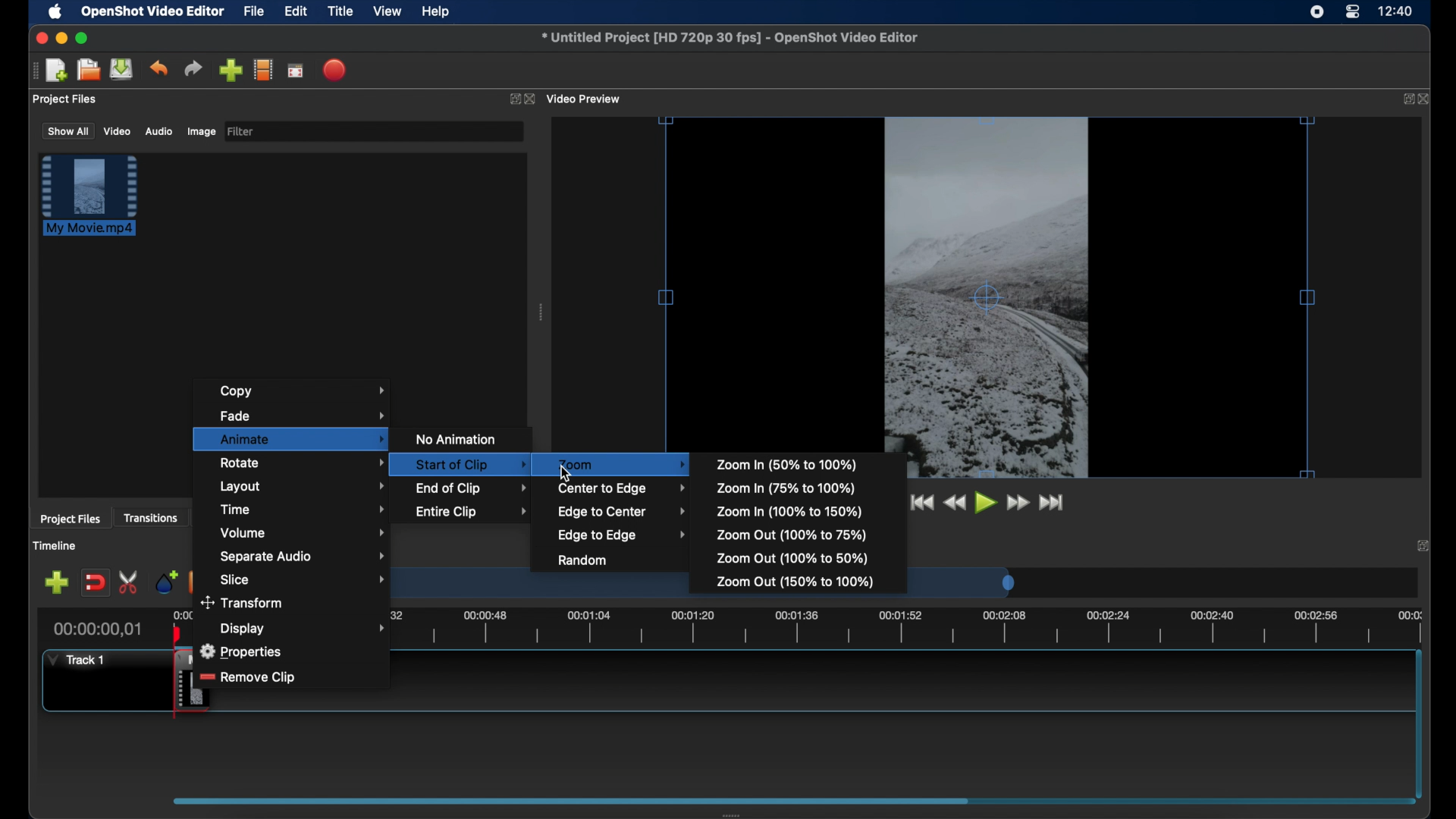 This screenshot has height=819, width=1456. Describe the element at coordinates (986, 298) in the screenshot. I see `video cursor` at that location.